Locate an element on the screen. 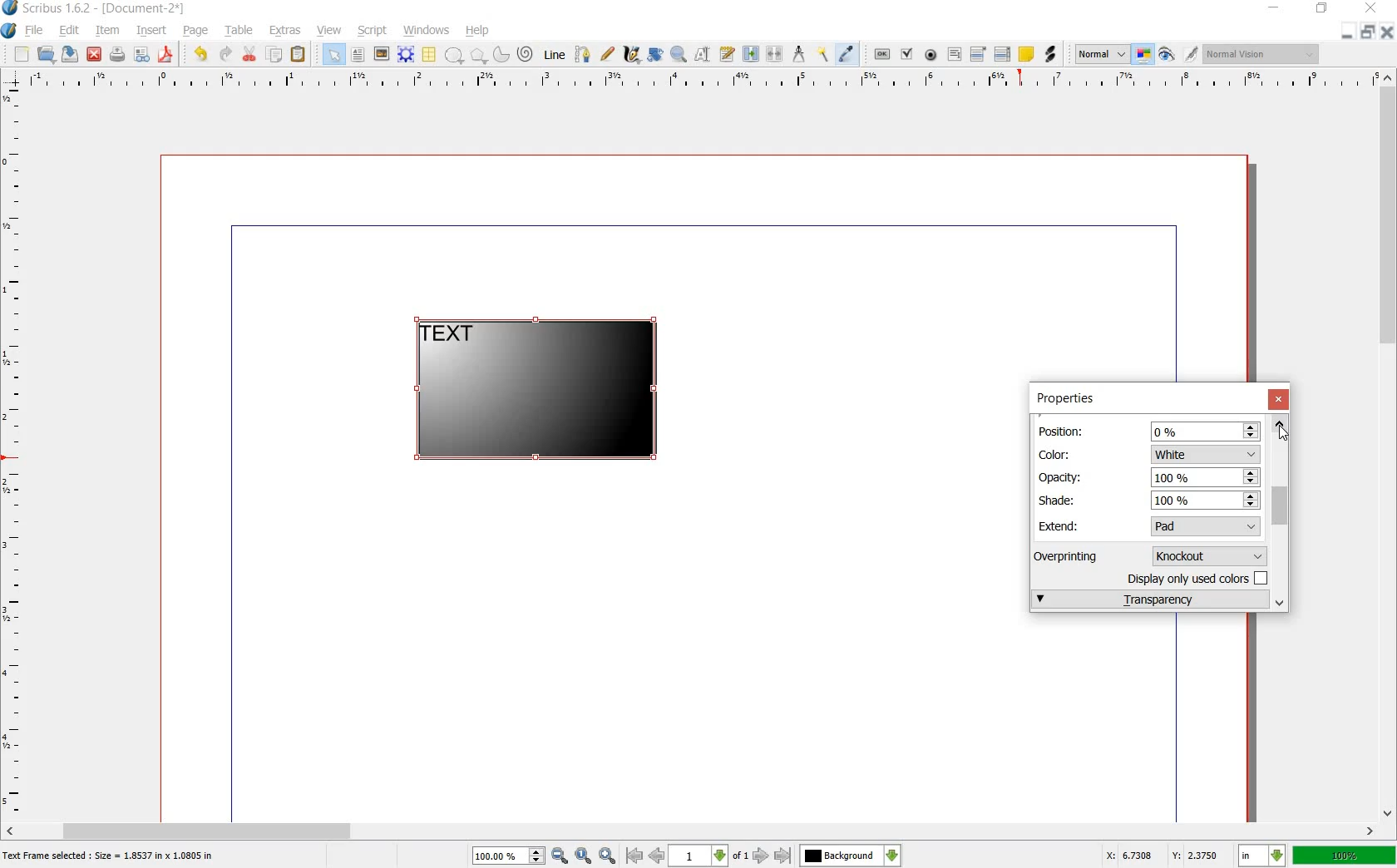 The height and width of the screenshot is (868, 1397). scribus 1.6.2 - [document-2*] is located at coordinates (110, 9).